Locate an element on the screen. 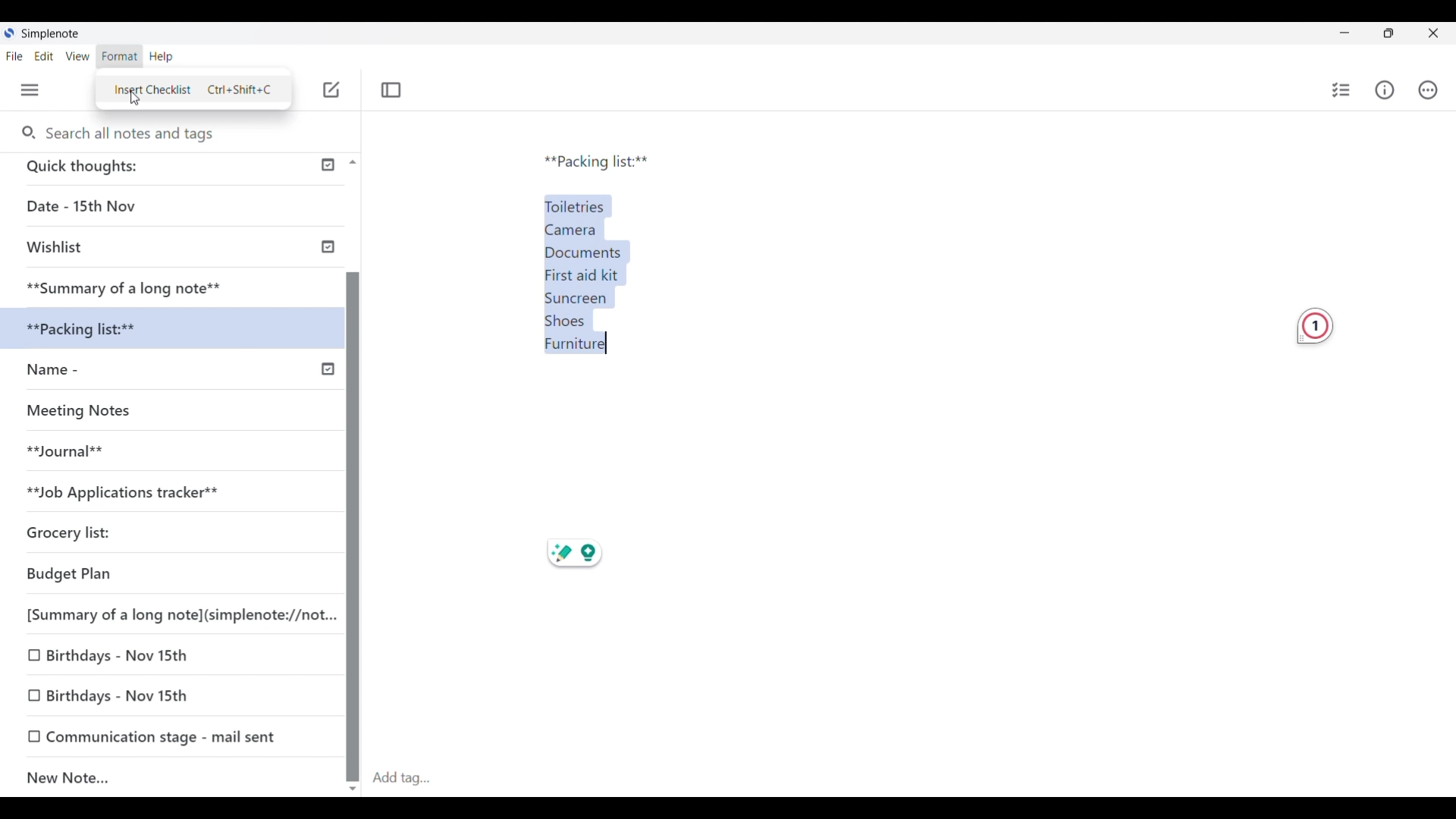 The width and height of the screenshot is (1456, 819). Insert checklist is located at coordinates (1342, 90).